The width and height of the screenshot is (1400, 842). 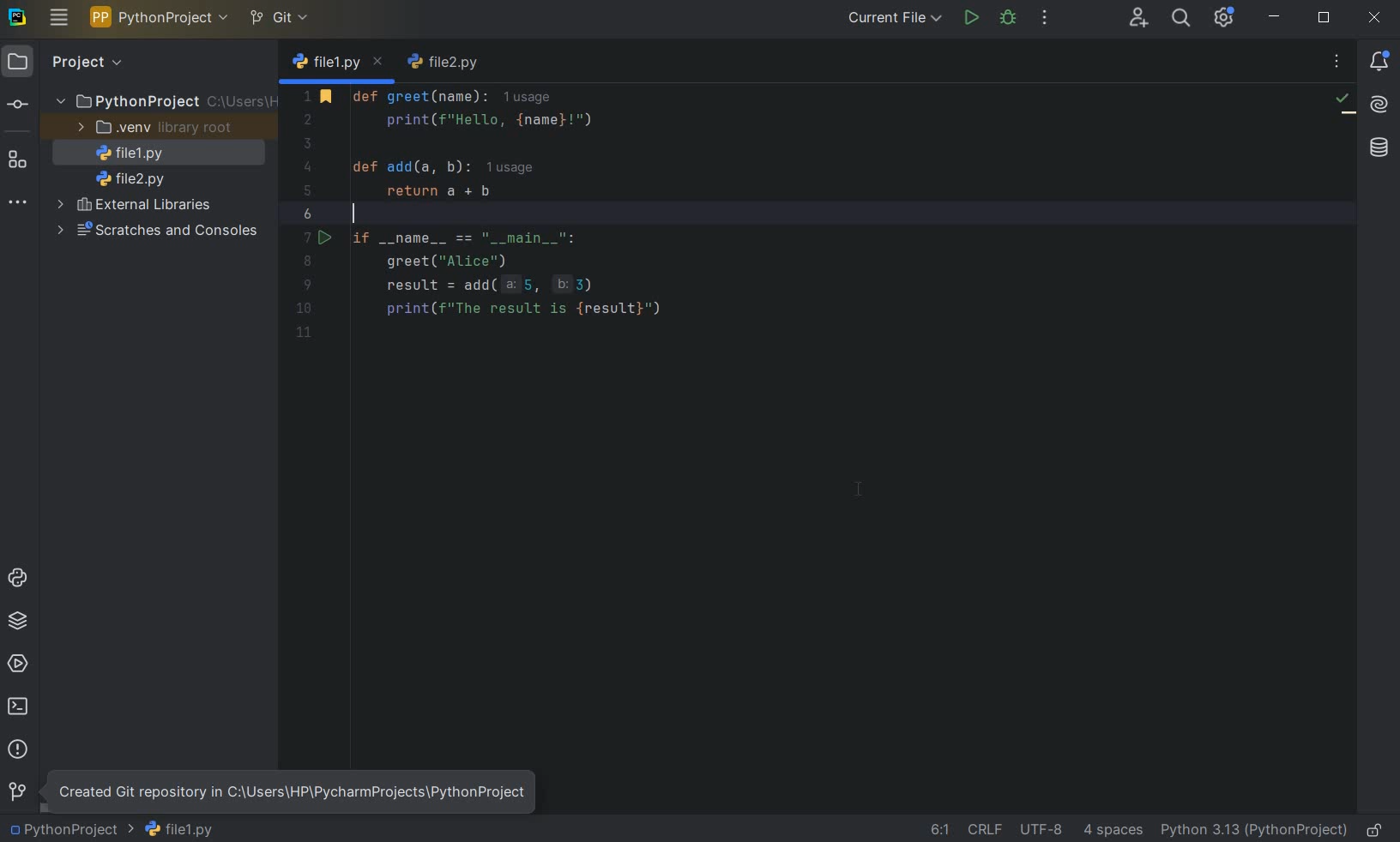 What do you see at coordinates (1377, 146) in the screenshot?
I see `database` at bounding box center [1377, 146].